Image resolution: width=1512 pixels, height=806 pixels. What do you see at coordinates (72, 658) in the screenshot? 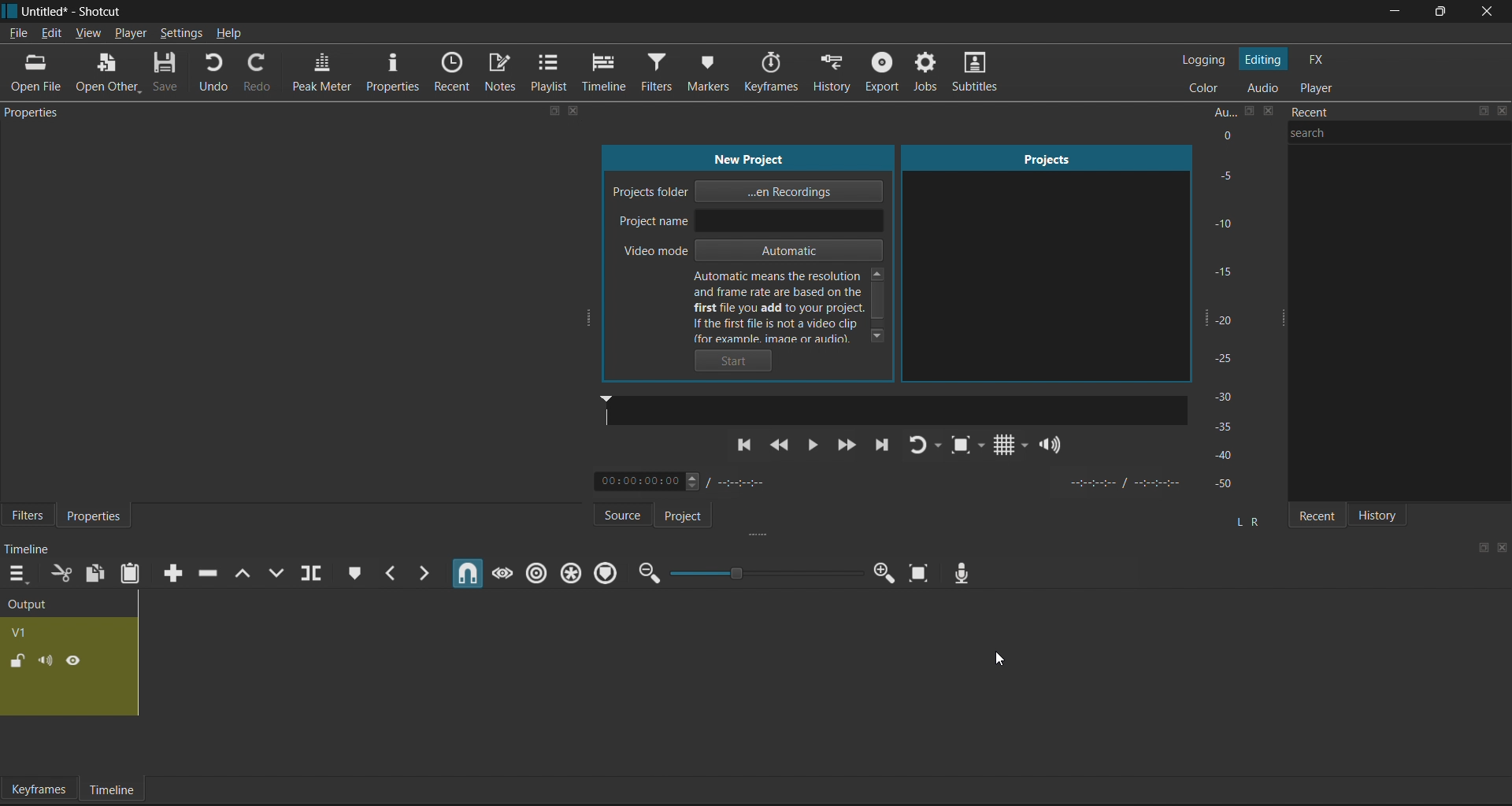
I see `Hide` at bounding box center [72, 658].